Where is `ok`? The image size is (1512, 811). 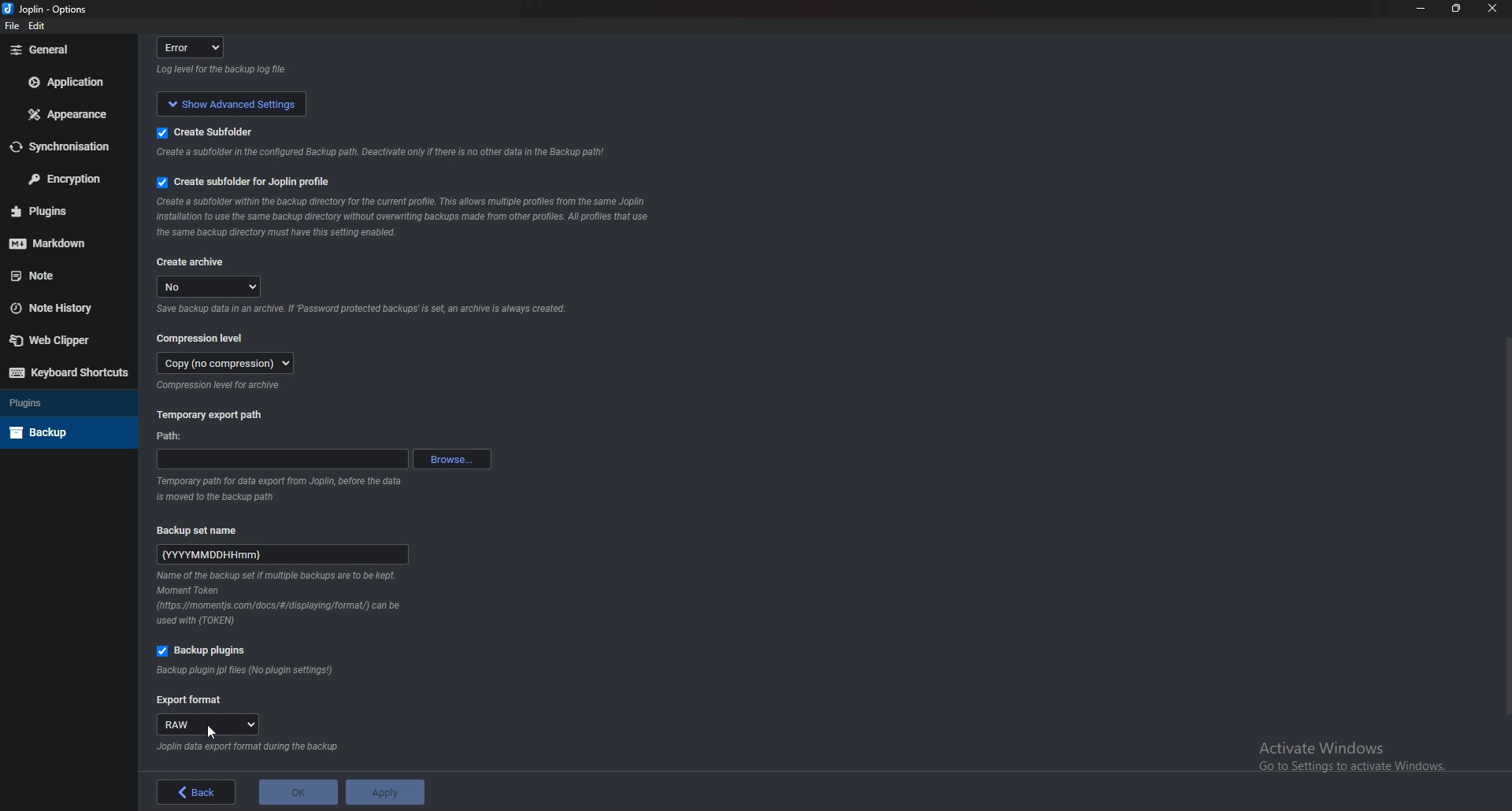 ok is located at coordinates (298, 792).